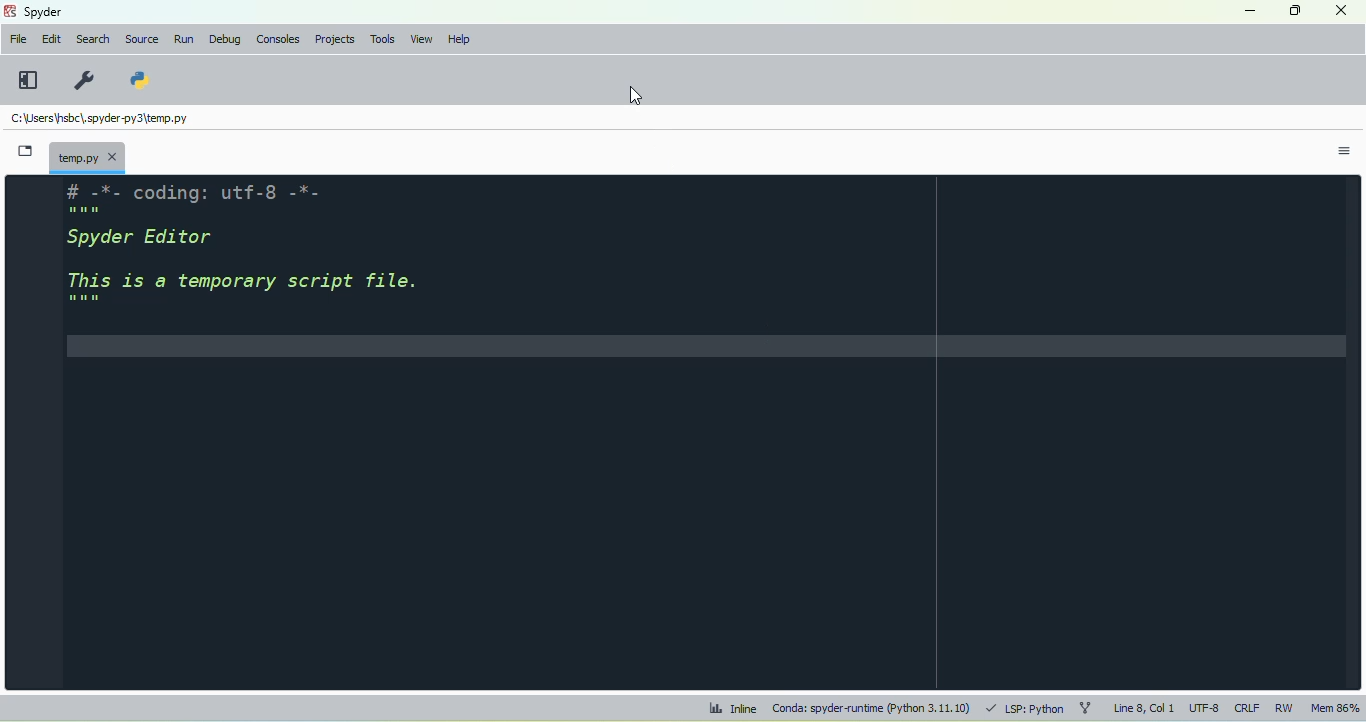 The width and height of the screenshot is (1366, 722). Describe the element at coordinates (1340, 9) in the screenshot. I see `close` at that location.